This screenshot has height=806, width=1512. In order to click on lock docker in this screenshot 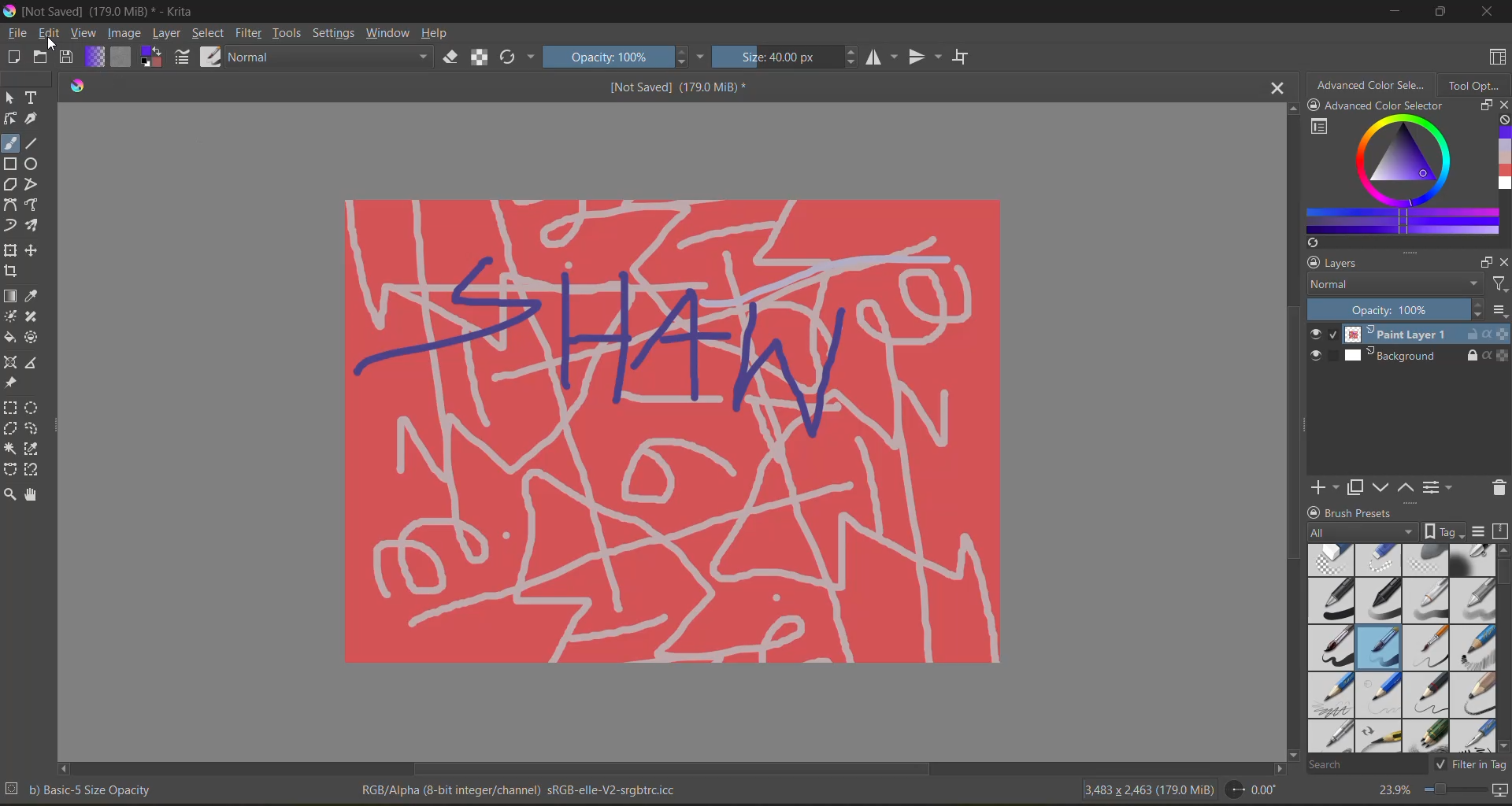, I will do `click(1312, 264)`.